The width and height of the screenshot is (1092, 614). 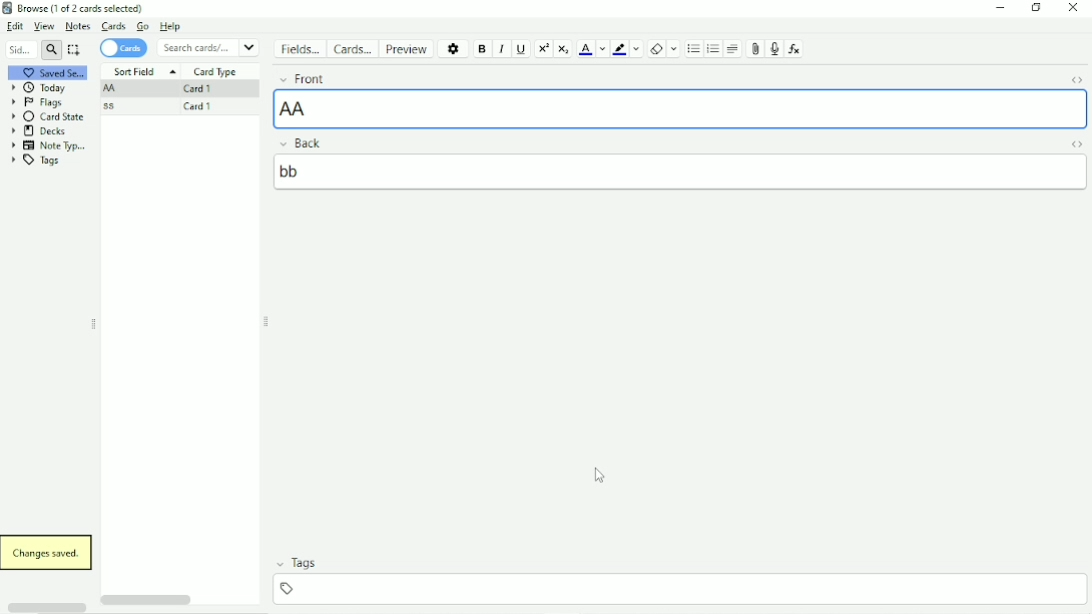 I want to click on Decks, so click(x=44, y=131).